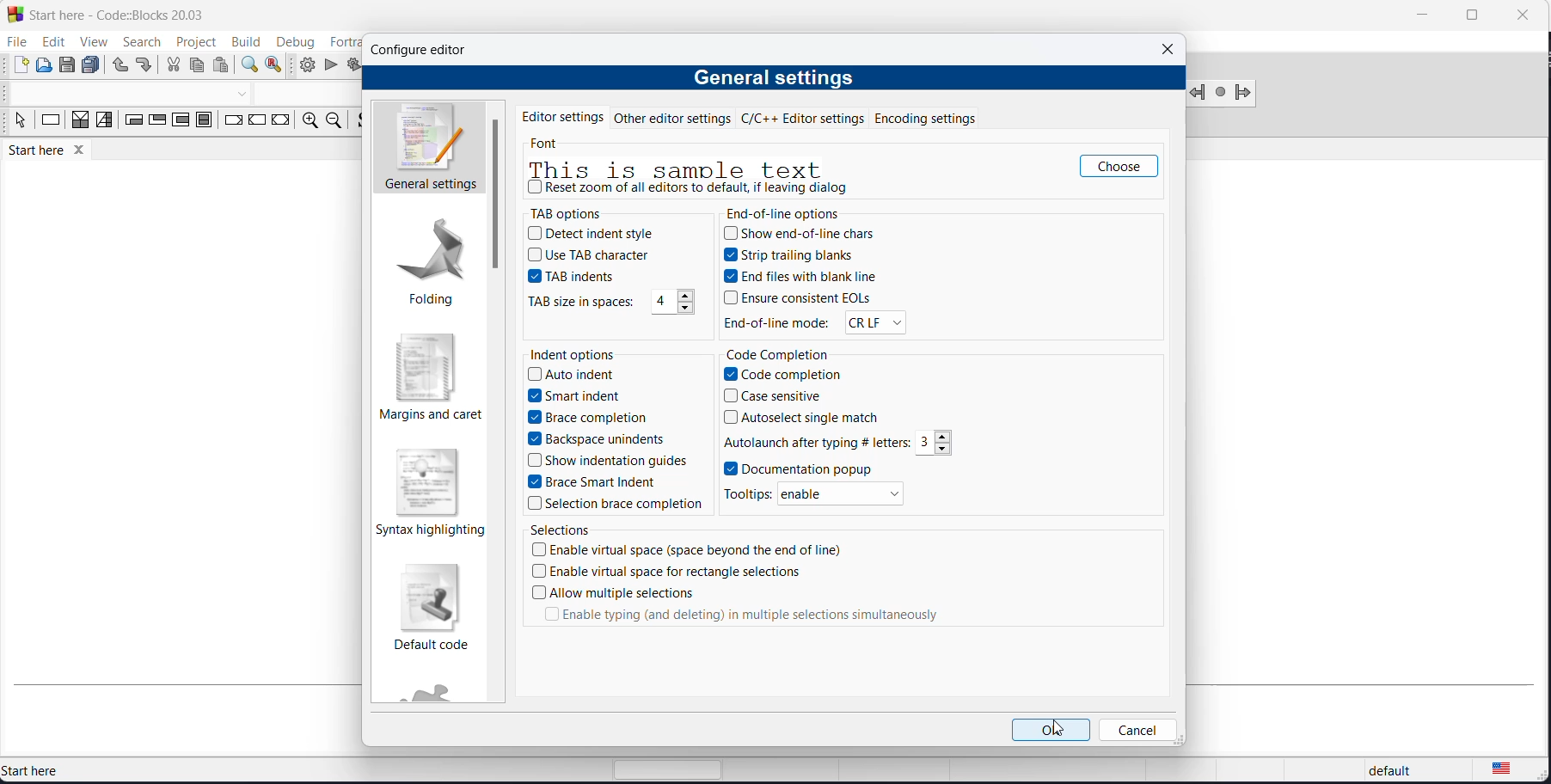  What do you see at coordinates (277, 65) in the screenshot?
I see `replace` at bounding box center [277, 65].